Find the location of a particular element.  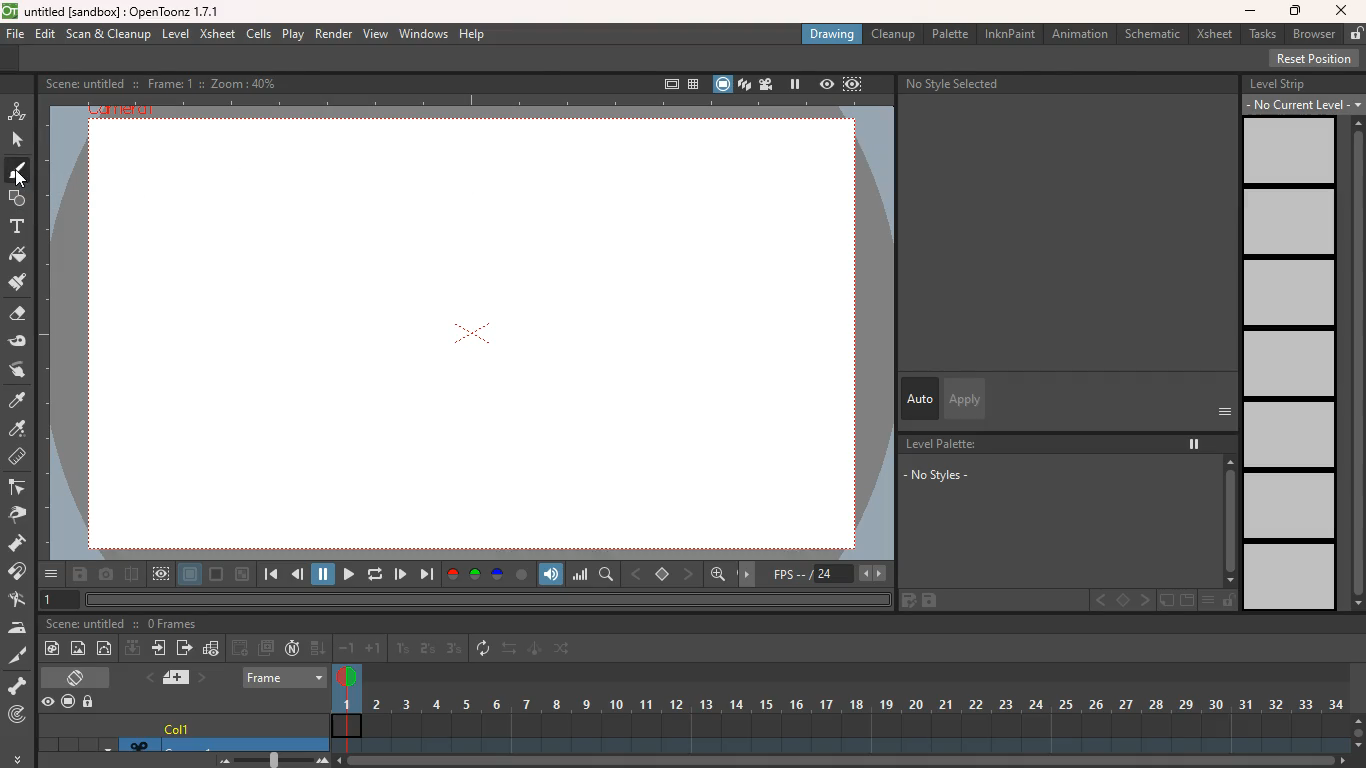

level is located at coordinates (1293, 152).